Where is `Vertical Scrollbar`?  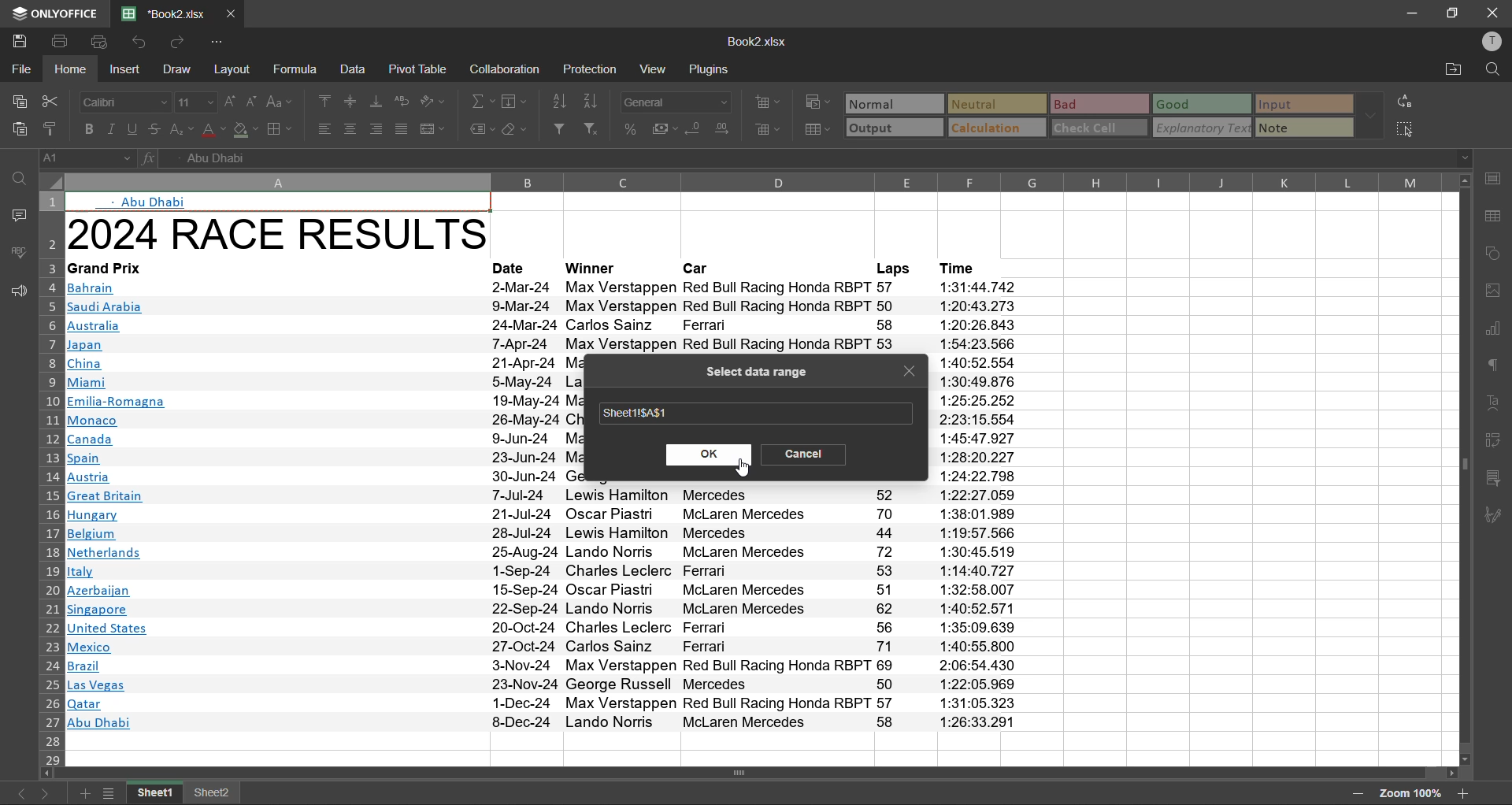 Vertical Scrollbar is located at coordinates (751, 774).